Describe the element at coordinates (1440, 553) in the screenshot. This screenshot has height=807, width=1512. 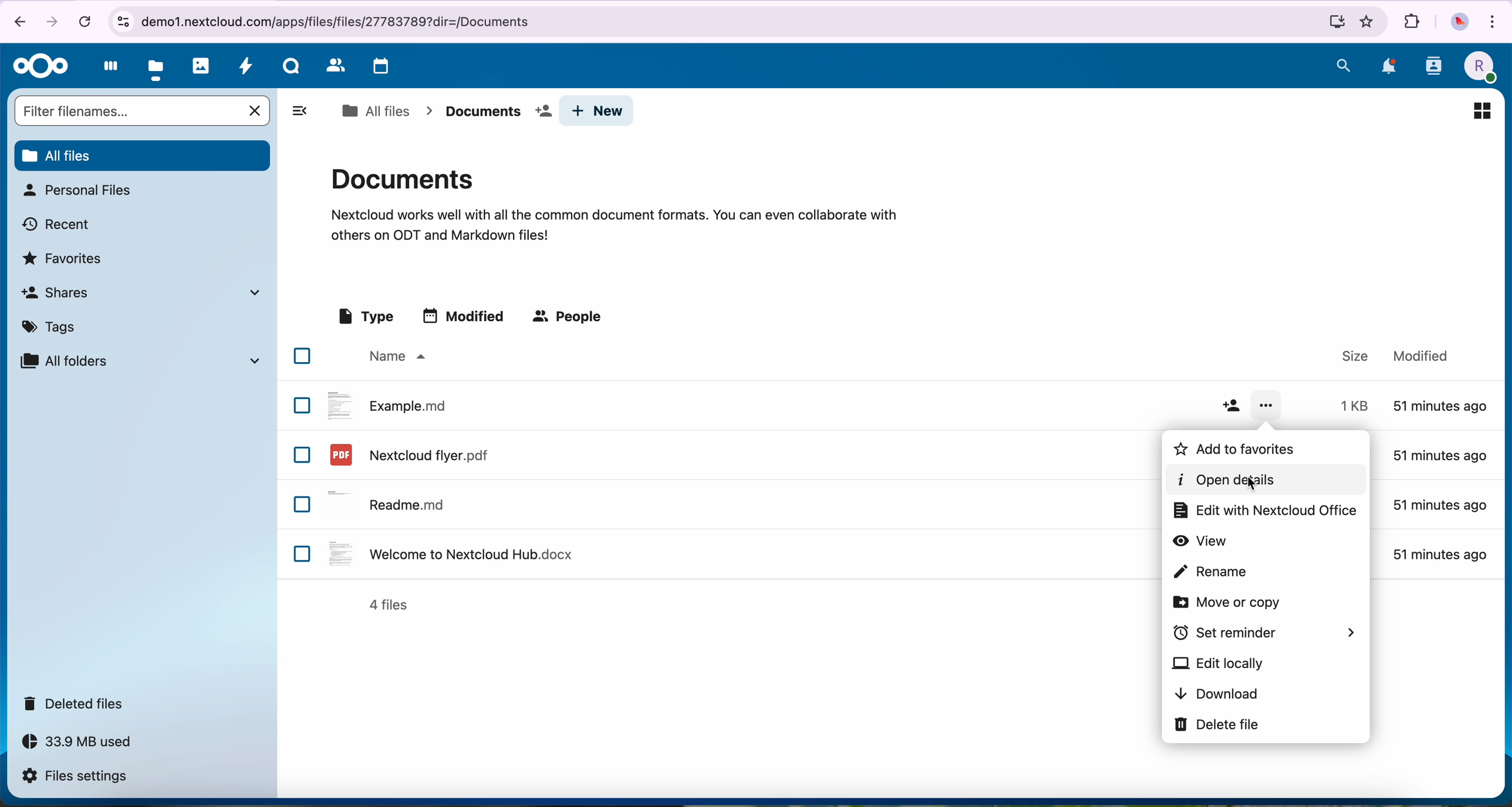
I see `modified` at that location.